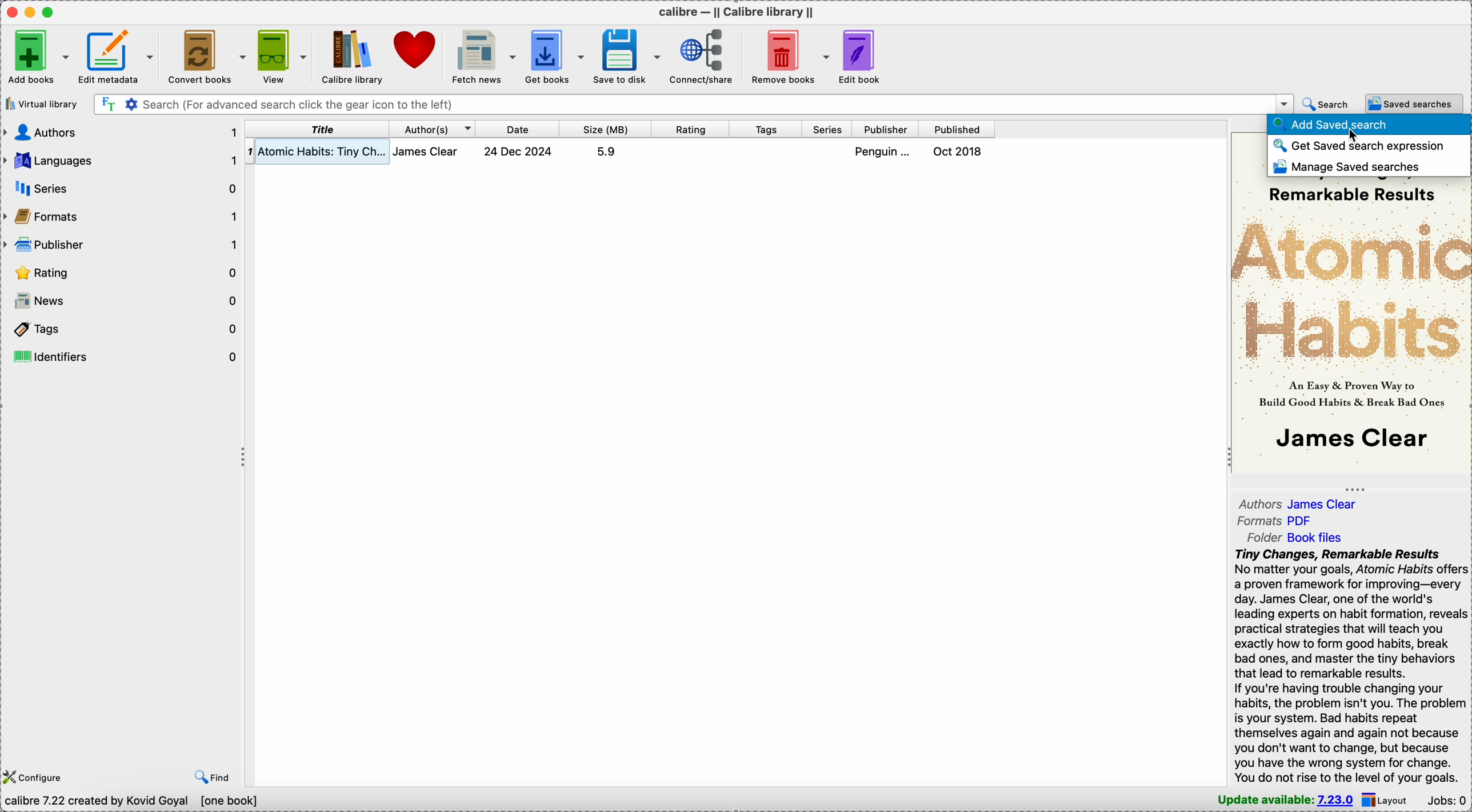  Describe the element at coordinates (122, 274) in the screenshot. I see `rating` at that location.